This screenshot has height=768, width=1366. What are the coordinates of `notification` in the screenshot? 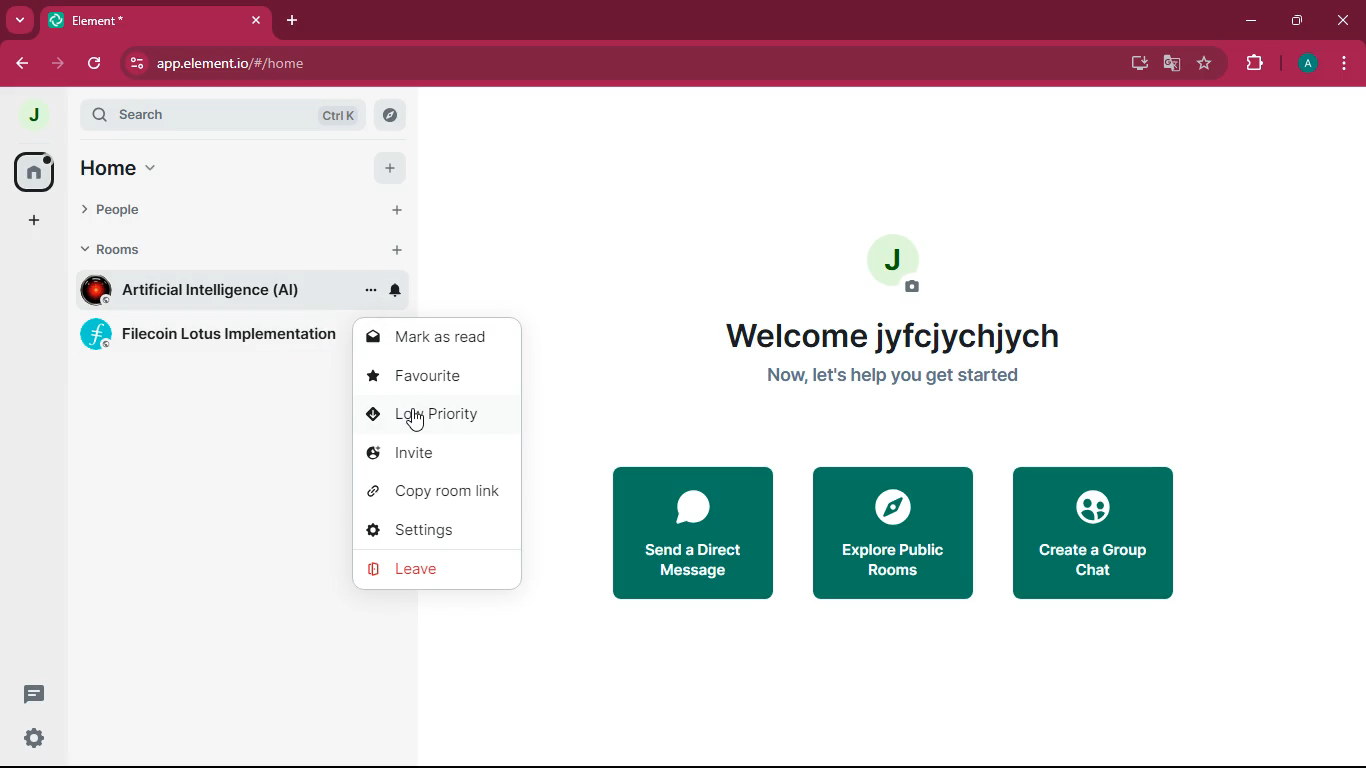 It's located at (395, 289).